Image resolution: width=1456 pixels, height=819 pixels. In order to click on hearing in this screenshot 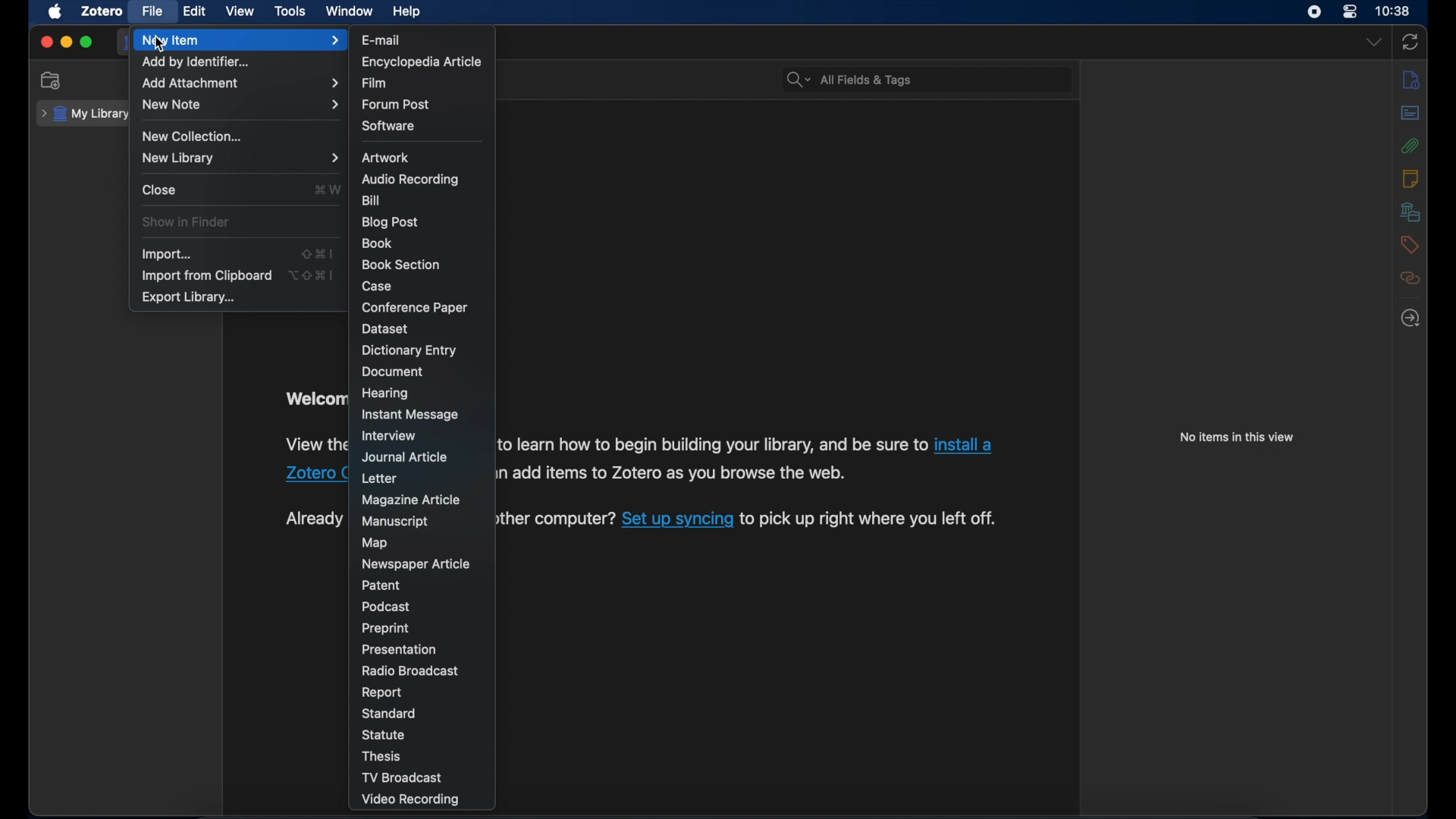, I will do `click(388, 394)`.